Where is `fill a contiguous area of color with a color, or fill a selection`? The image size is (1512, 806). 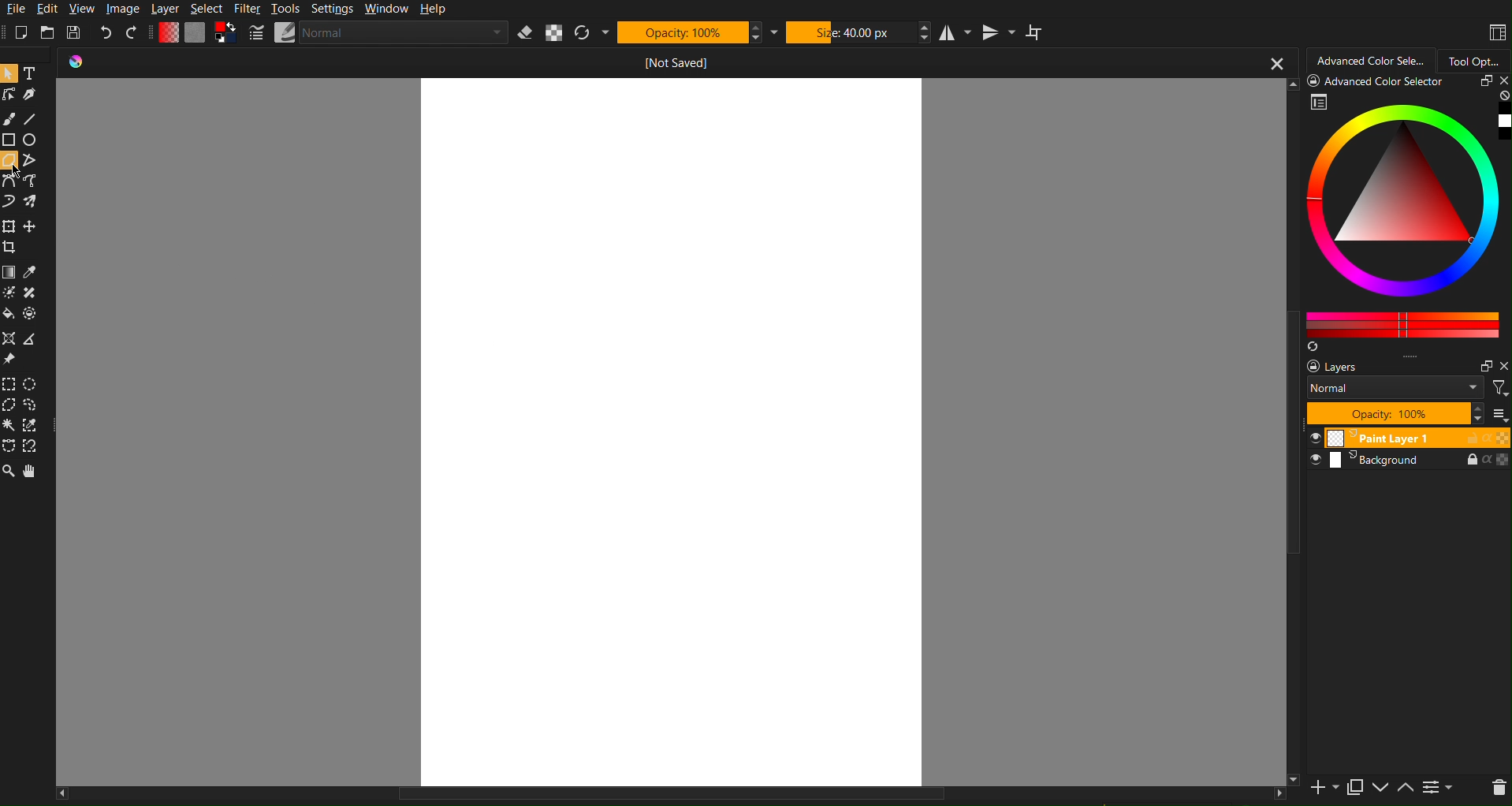 fill a contiguous area of color with a color, or fill a selection is located at coordinates (9, 315).